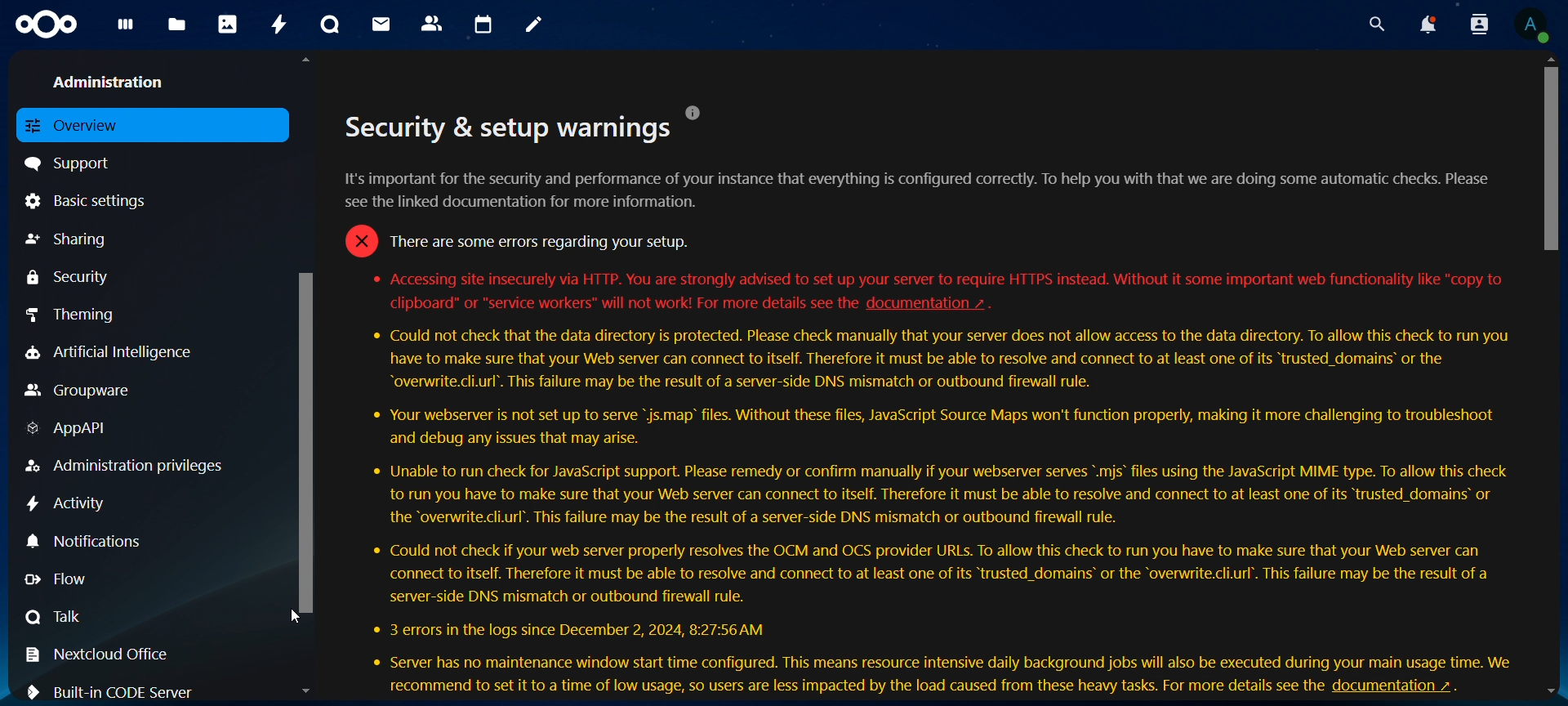 The image size is (1568, 706). What do you see at coordinates (177, 26) in the screenshot?
I see `files` at bounding box center [177, 26].